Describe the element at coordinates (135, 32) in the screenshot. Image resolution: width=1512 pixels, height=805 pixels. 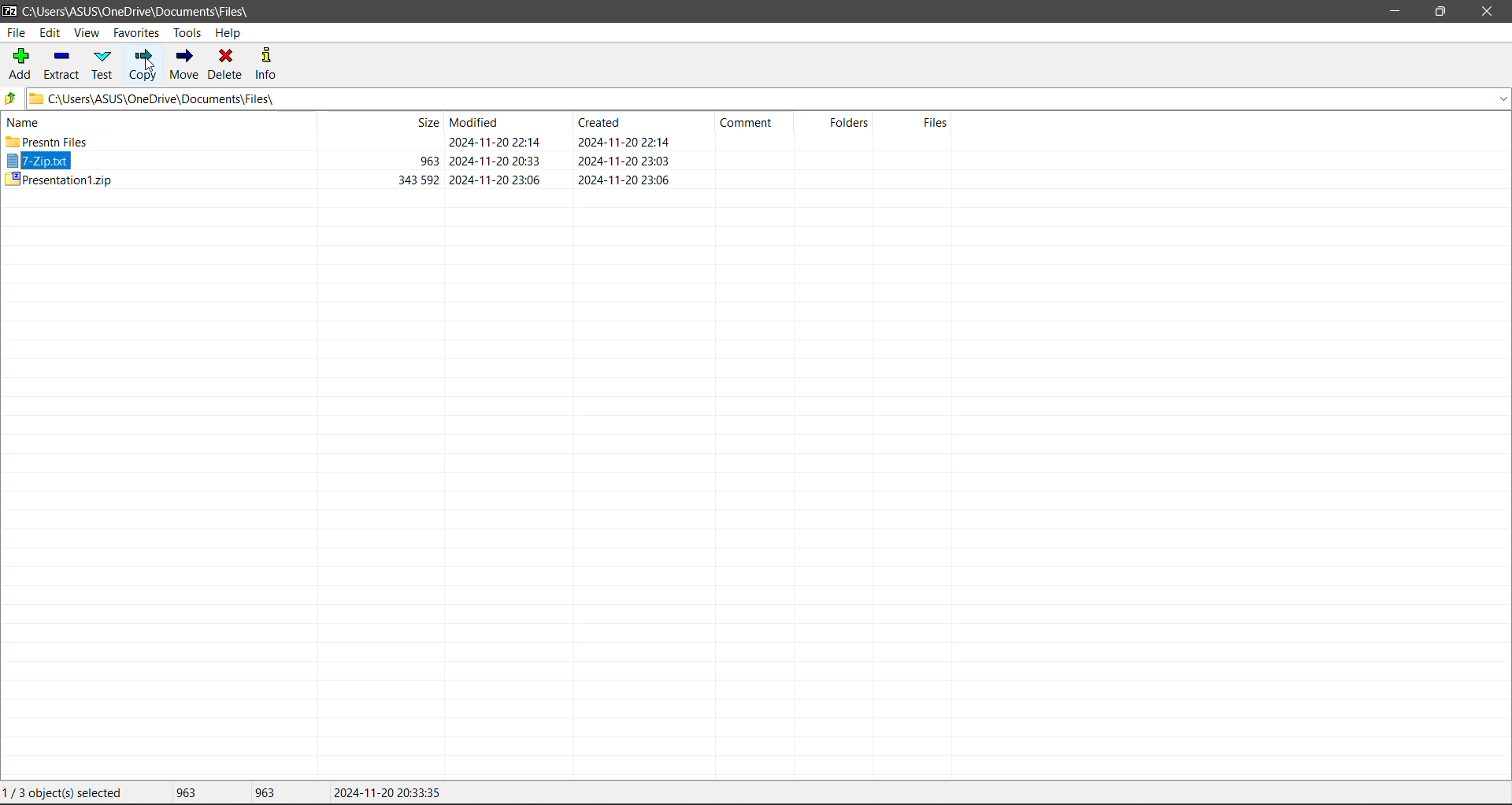
I see `Favorites` at that location.